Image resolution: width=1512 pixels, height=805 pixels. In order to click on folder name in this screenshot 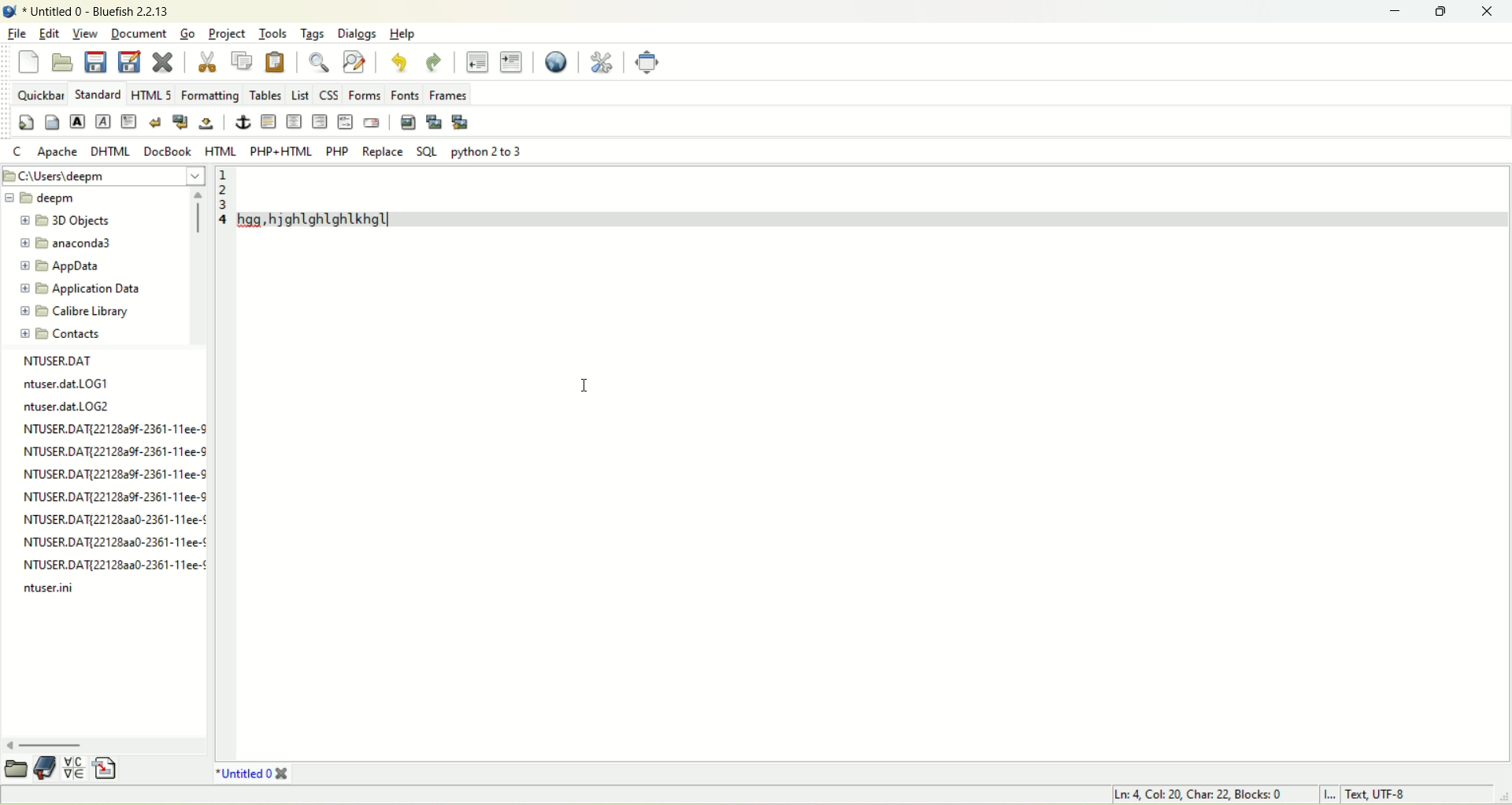, I will do `click(65, 221)`.